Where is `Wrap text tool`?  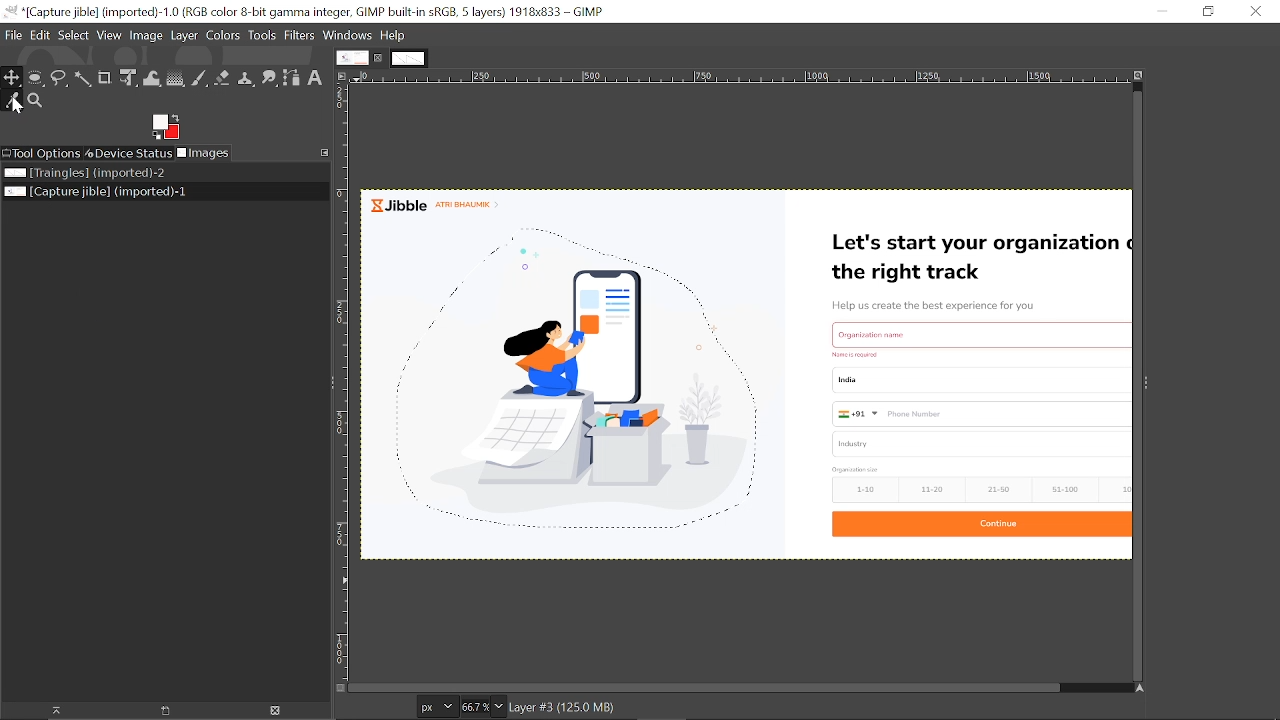 Wrap text tool is located at coordinates (152, 79).